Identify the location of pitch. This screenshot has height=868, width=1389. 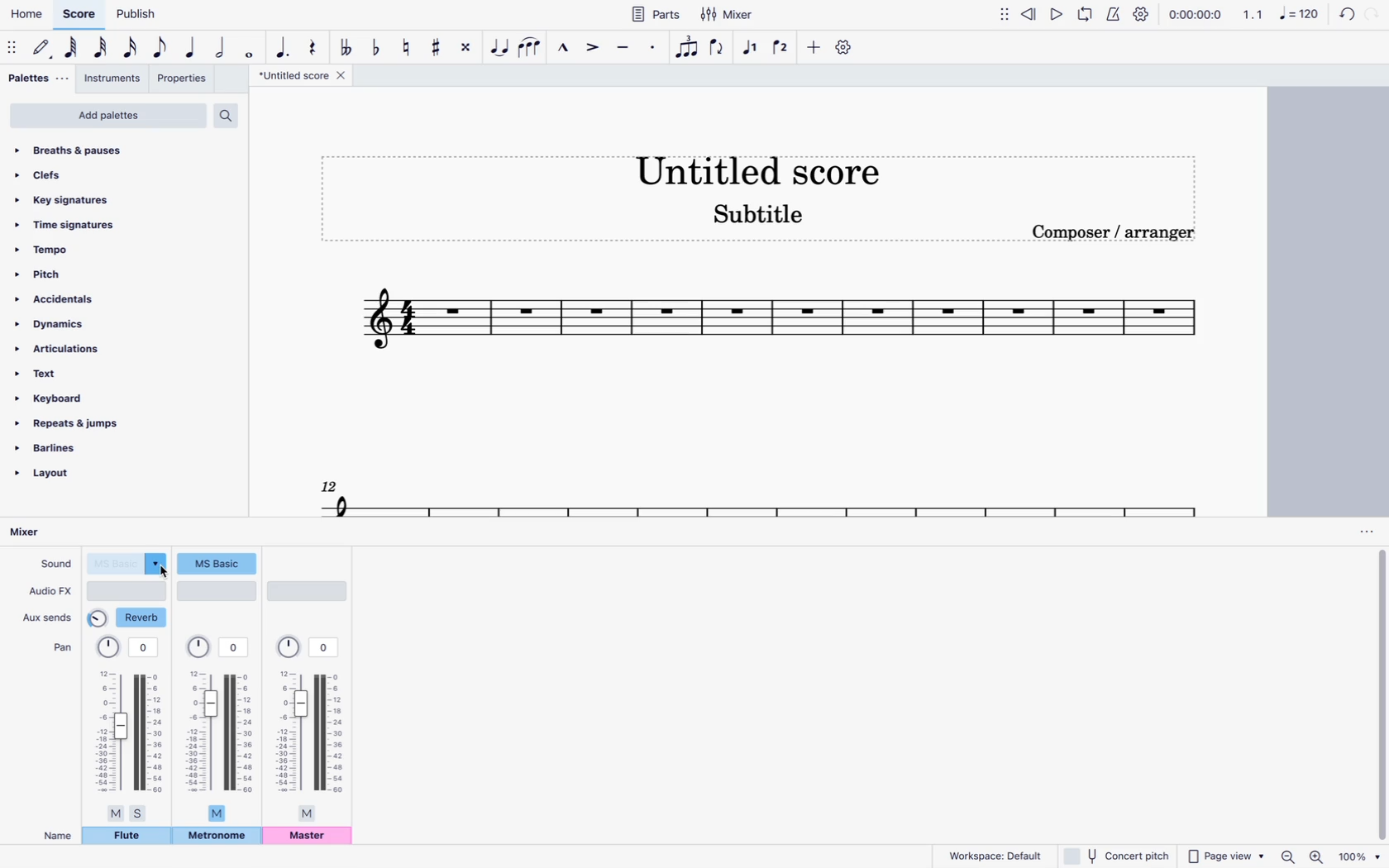
(76, 273).